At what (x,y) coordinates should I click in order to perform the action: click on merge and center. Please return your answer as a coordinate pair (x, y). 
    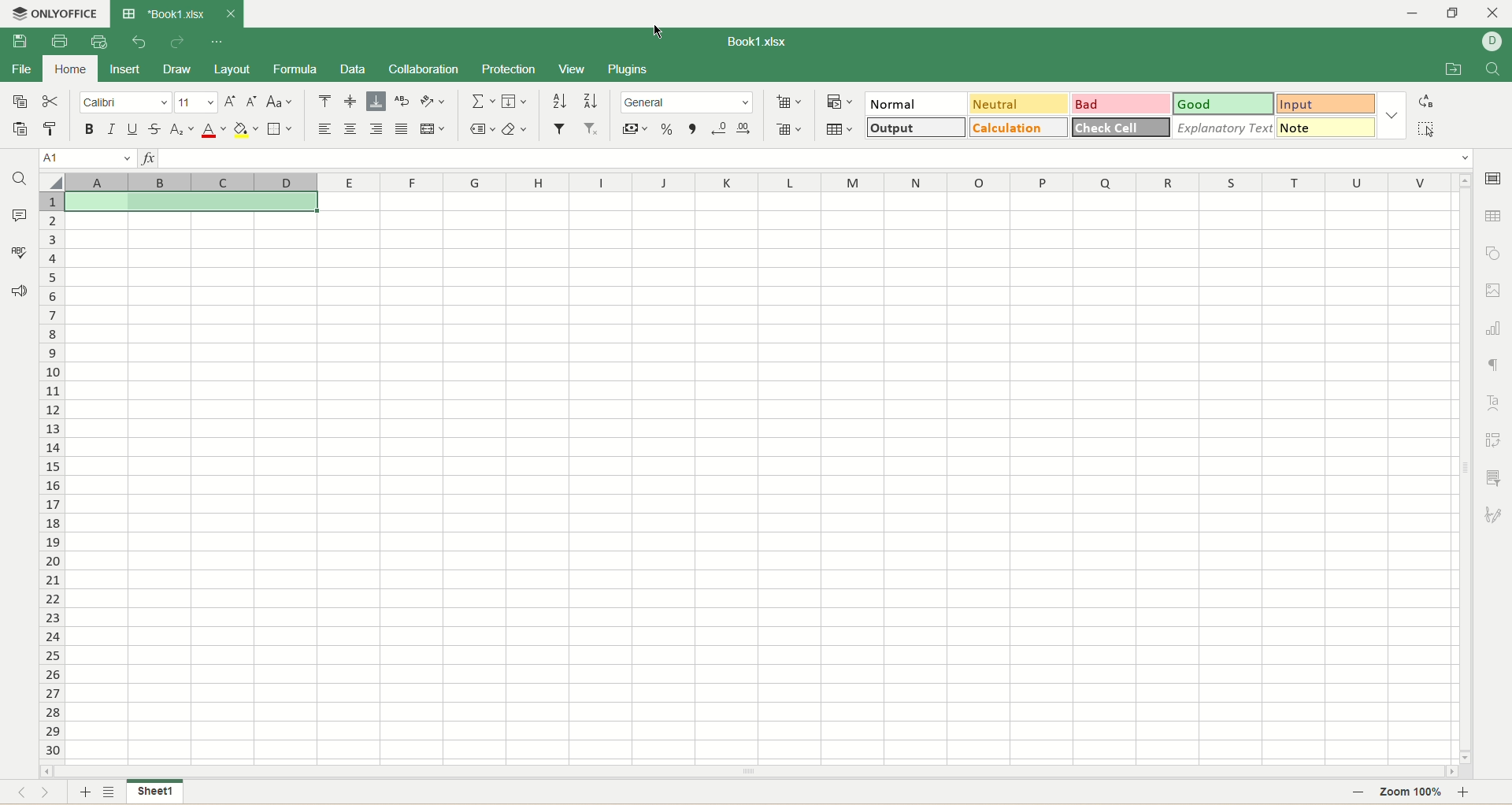
    Looking at the image, I should click on (432, 129).